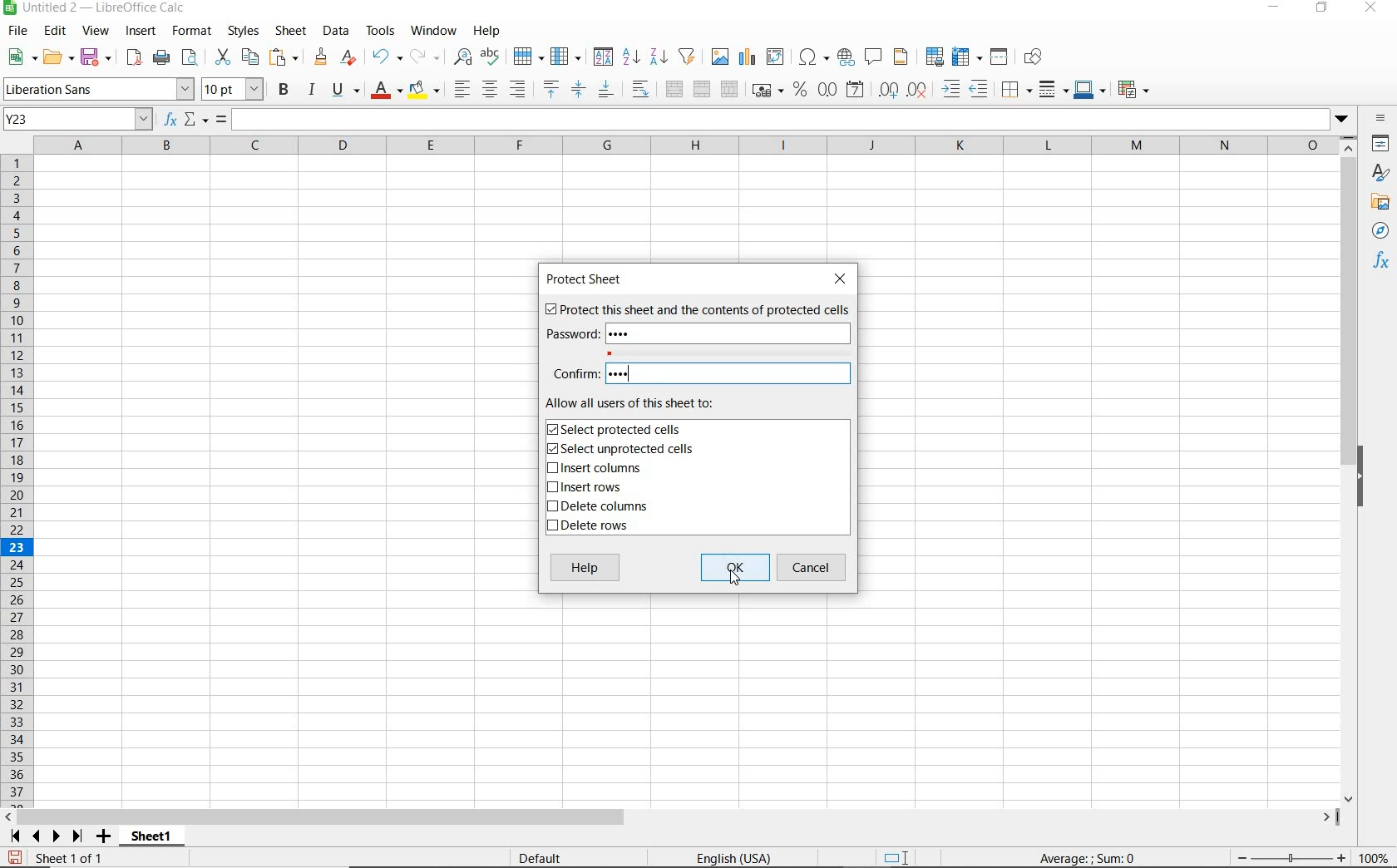 The height and width of the screenshot is (868, 1397). Describe the element at coordinates (689, 145) in the screenshot. I see `COLUMNS` at that location.